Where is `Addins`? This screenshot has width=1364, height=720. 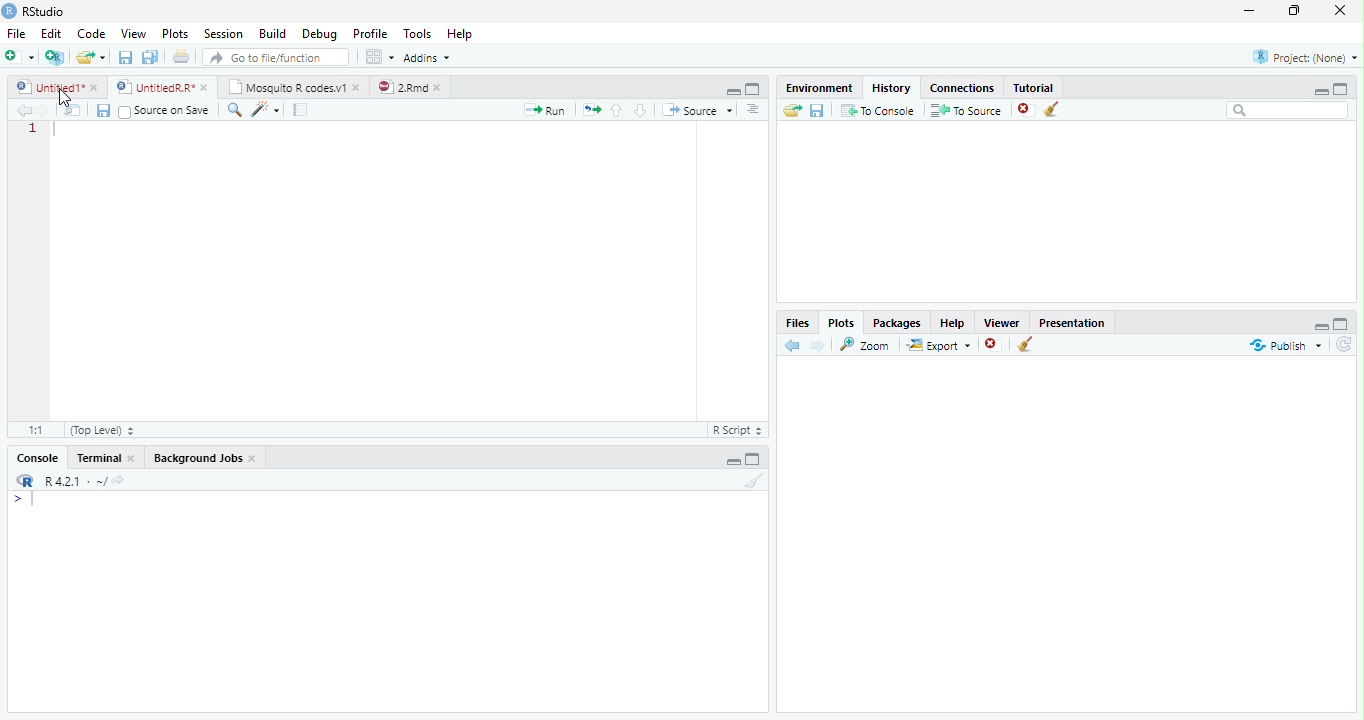
Addins is located at coordinates (428, 57).